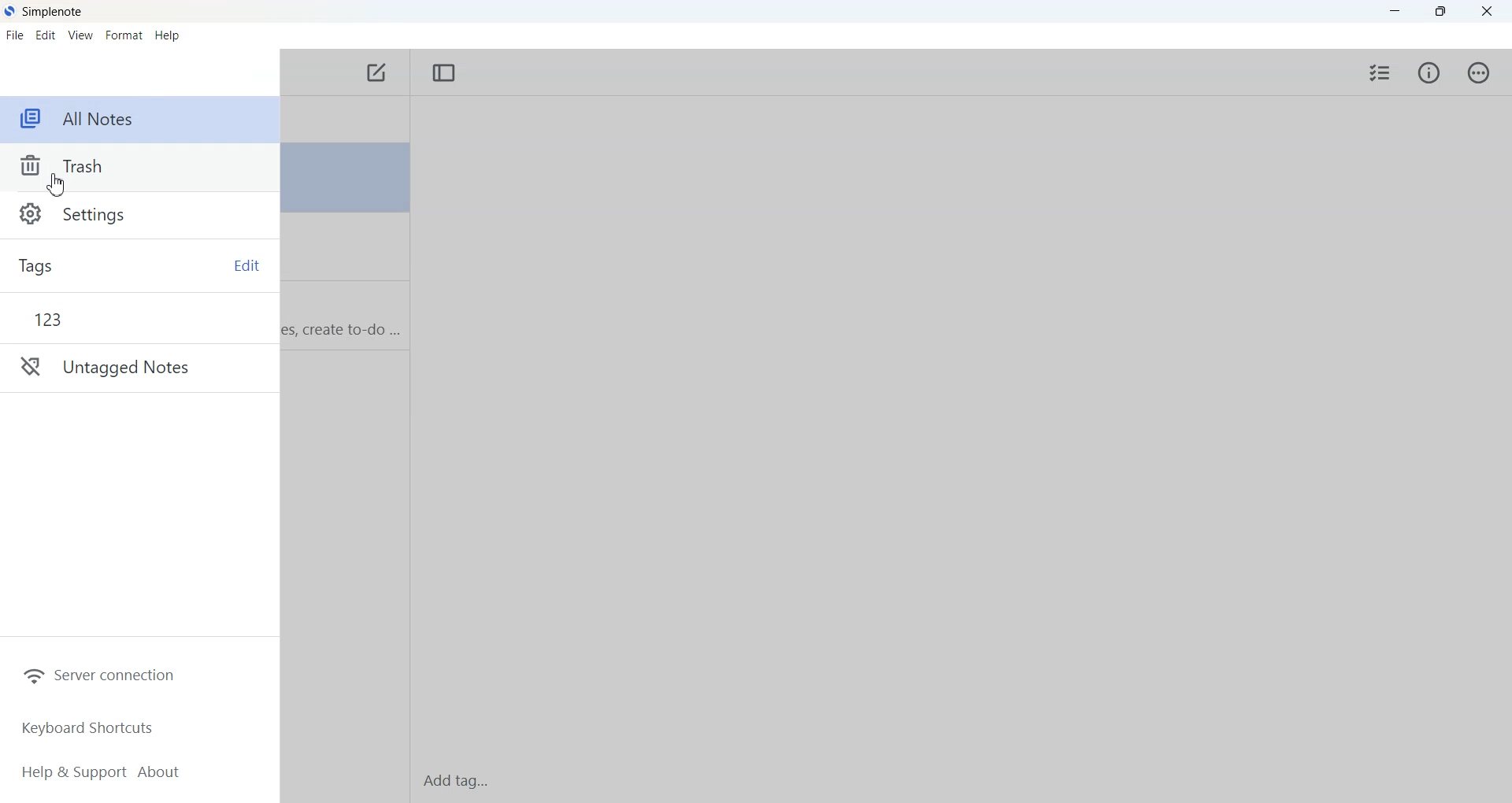  Describe the element at coordinates (1428, 73) in the screenshot. I see `Info` at that location.